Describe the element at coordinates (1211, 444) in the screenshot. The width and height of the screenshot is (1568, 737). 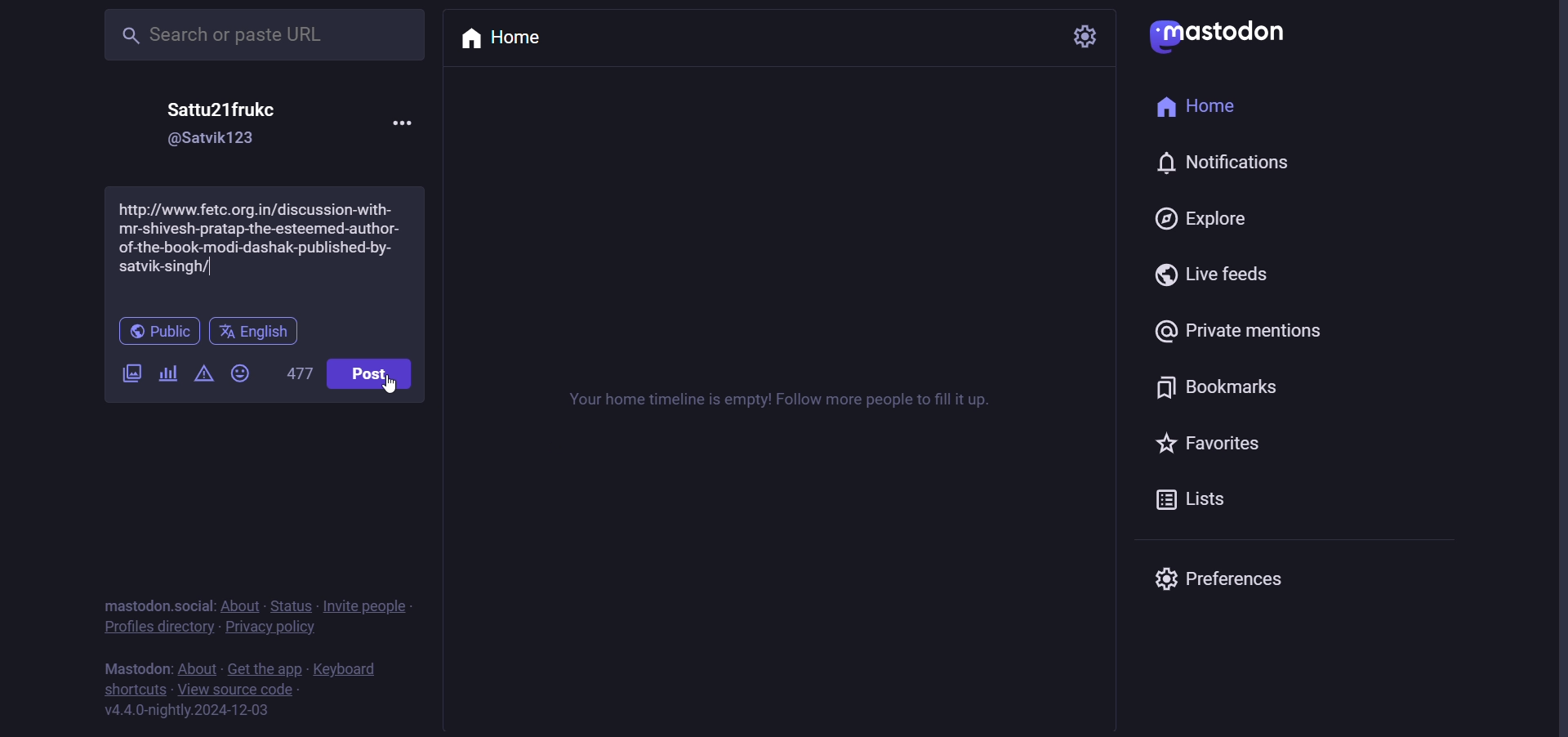
I see `favorite` at that location.